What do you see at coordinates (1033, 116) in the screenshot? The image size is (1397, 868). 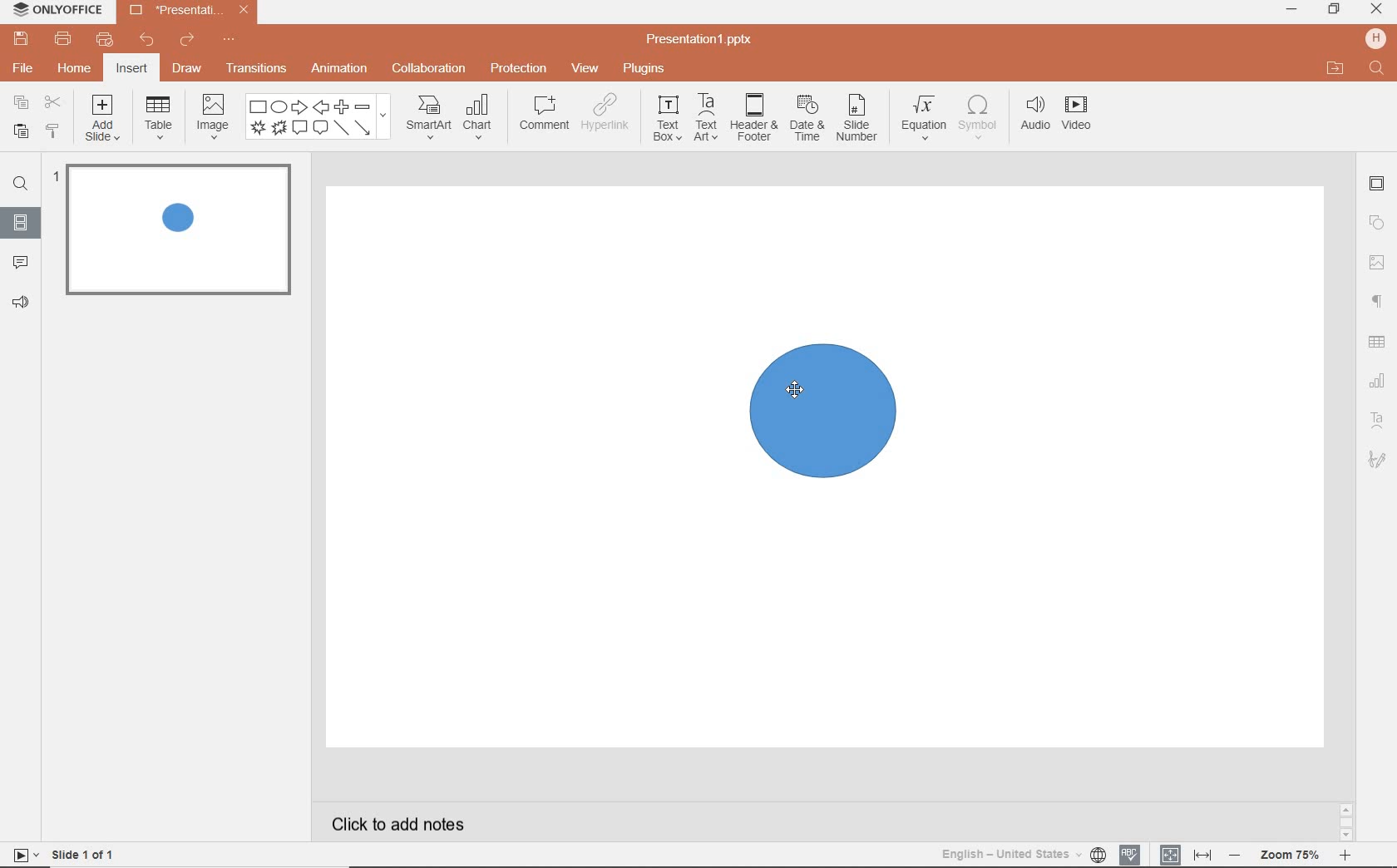 I see `audio` at bounding box center [1033, 116].